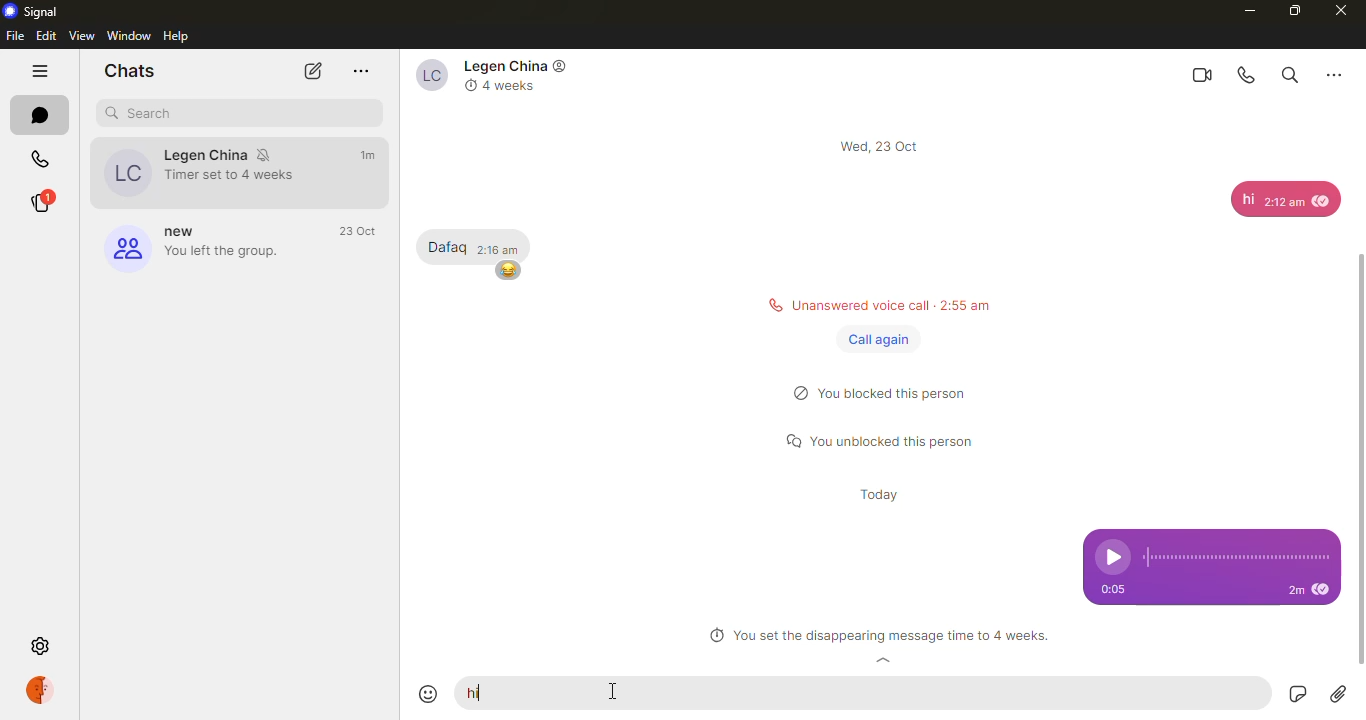 This screenshot has width=1366, height=720. What do you see at coordinates (1200, 74) in the screenshot?
I see `video call` at bounding box center [1200, 74].